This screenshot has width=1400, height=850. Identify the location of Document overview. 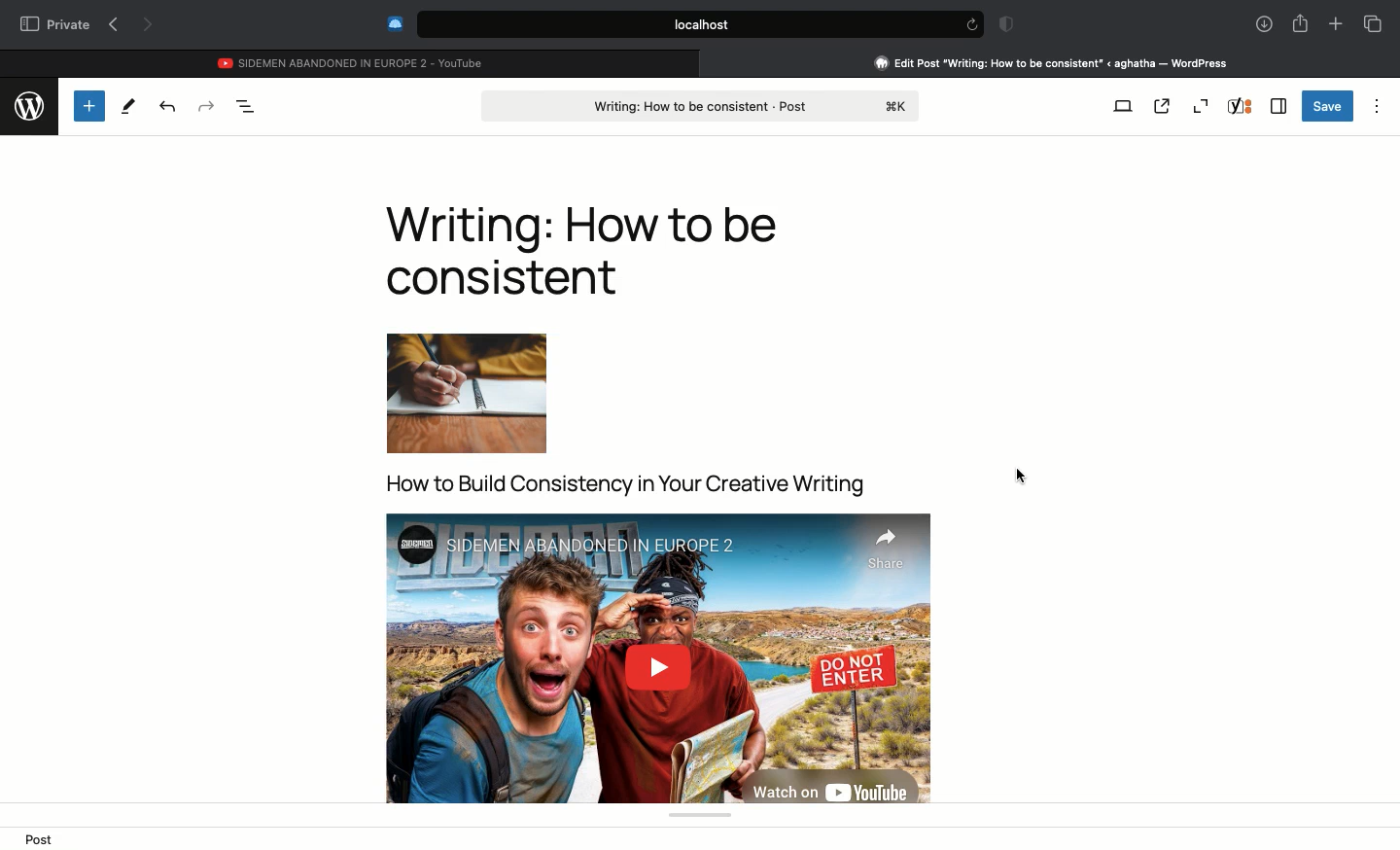
(247, 106).